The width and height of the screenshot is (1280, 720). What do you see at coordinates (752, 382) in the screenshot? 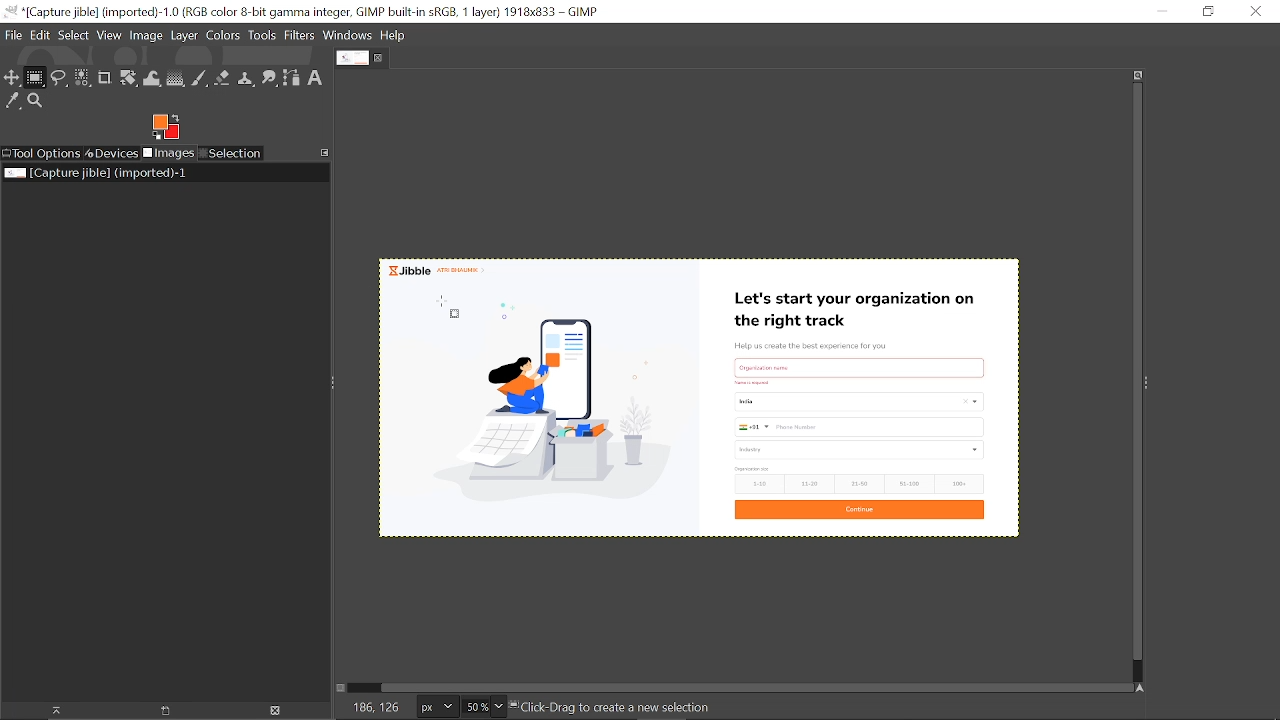
I see `` at bounding box center [752, 382].